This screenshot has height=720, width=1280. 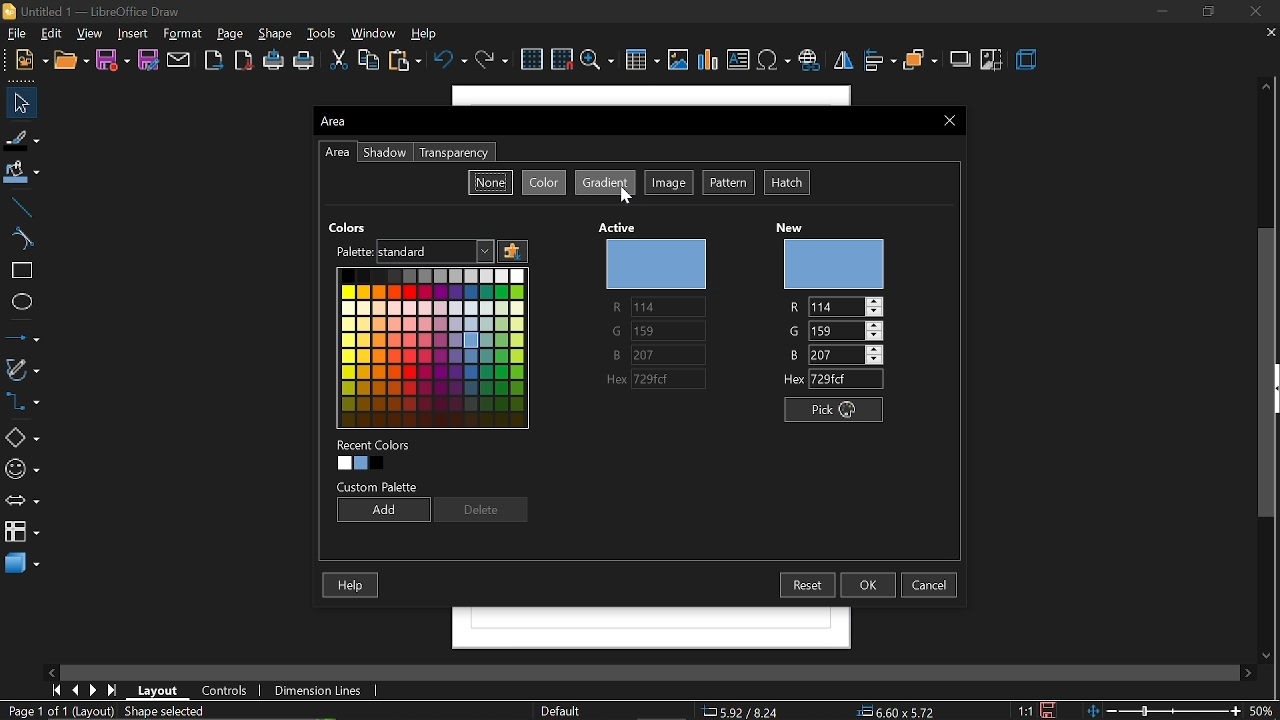 I want to click on export as pdf, so click(x=245, y=61).